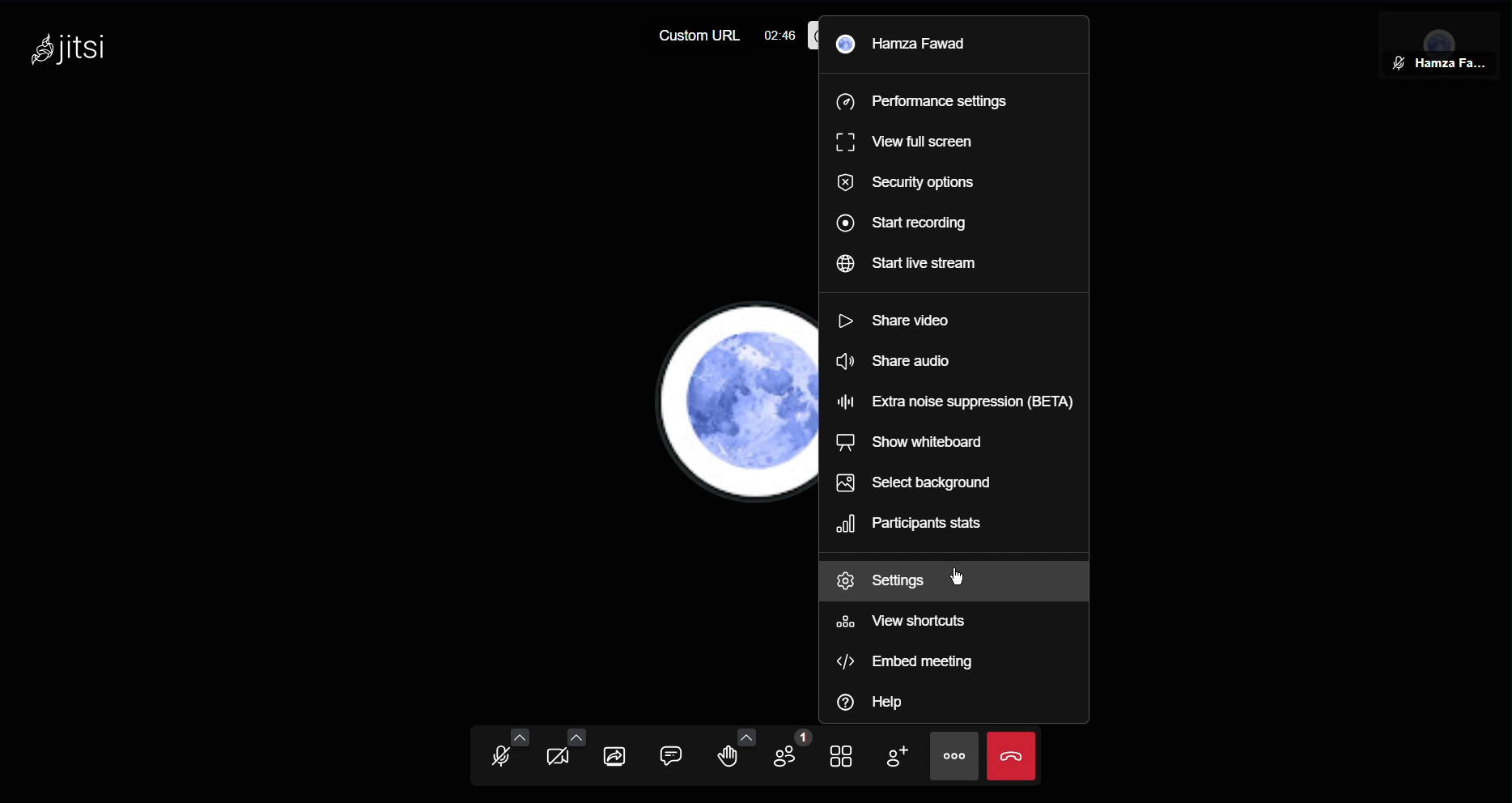 The image size is (1512, 803). I want to click on Custom URL, so click(696, 36).